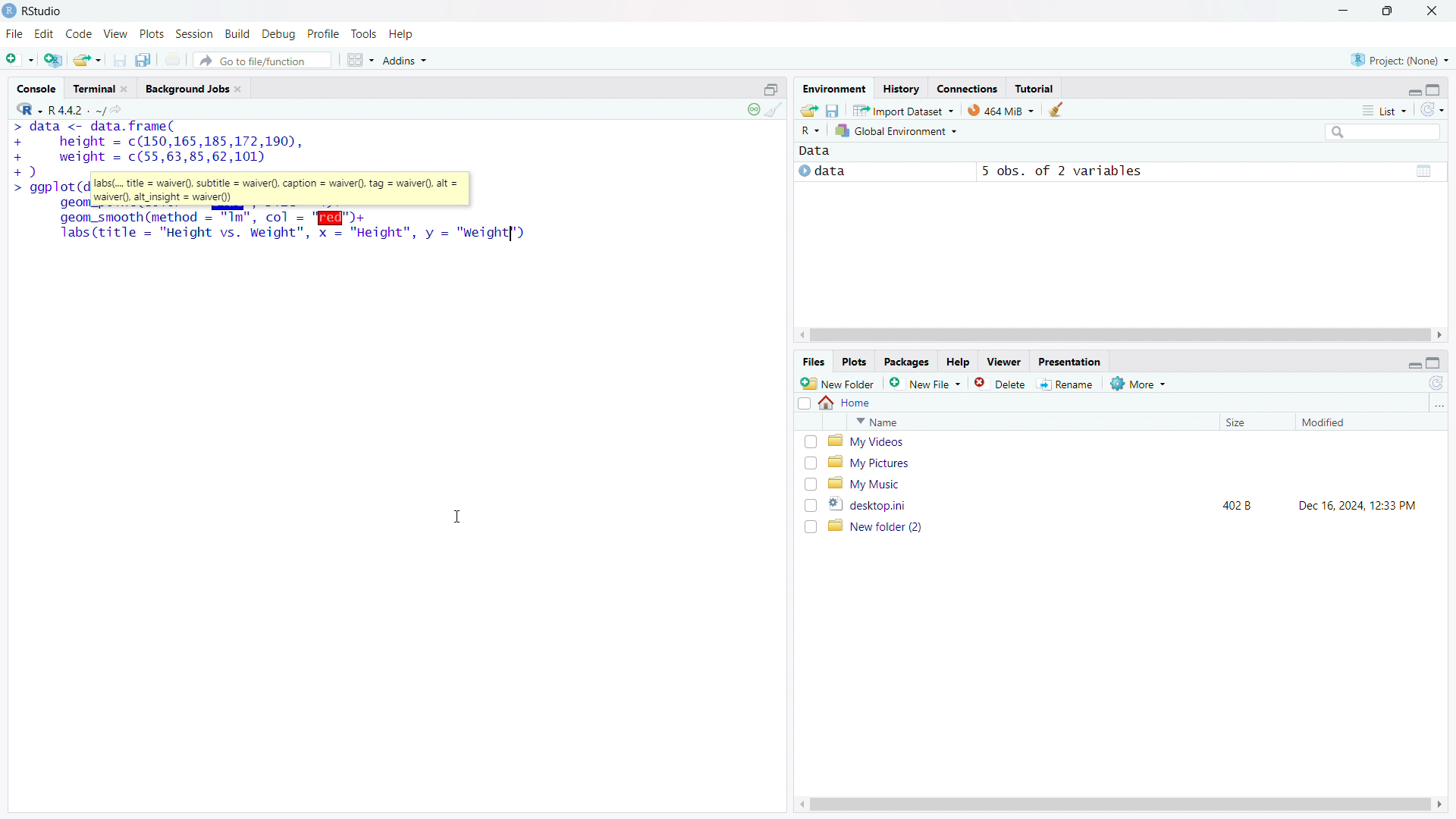 This screenshot has width=1456, height=819. What do you see at coordinates (402, 34) in the screenshot?
I see `help` at bounding box center [402, 34].